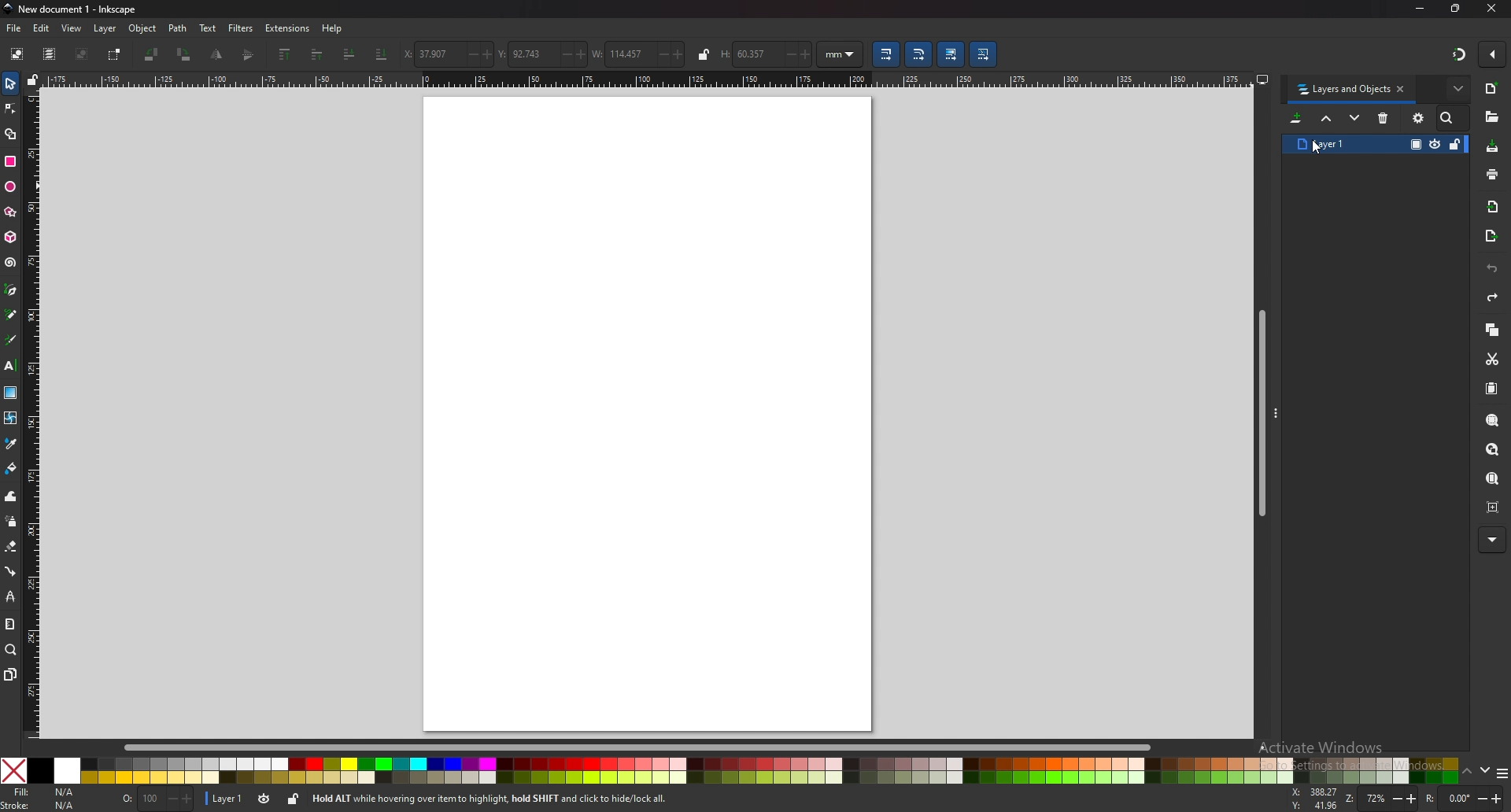 The width and height of the screenshot is (1511, 812). What do you see at coordinates (10, 186) in the screenshot?
I see `ellipse` at bounding box center [10, 186].